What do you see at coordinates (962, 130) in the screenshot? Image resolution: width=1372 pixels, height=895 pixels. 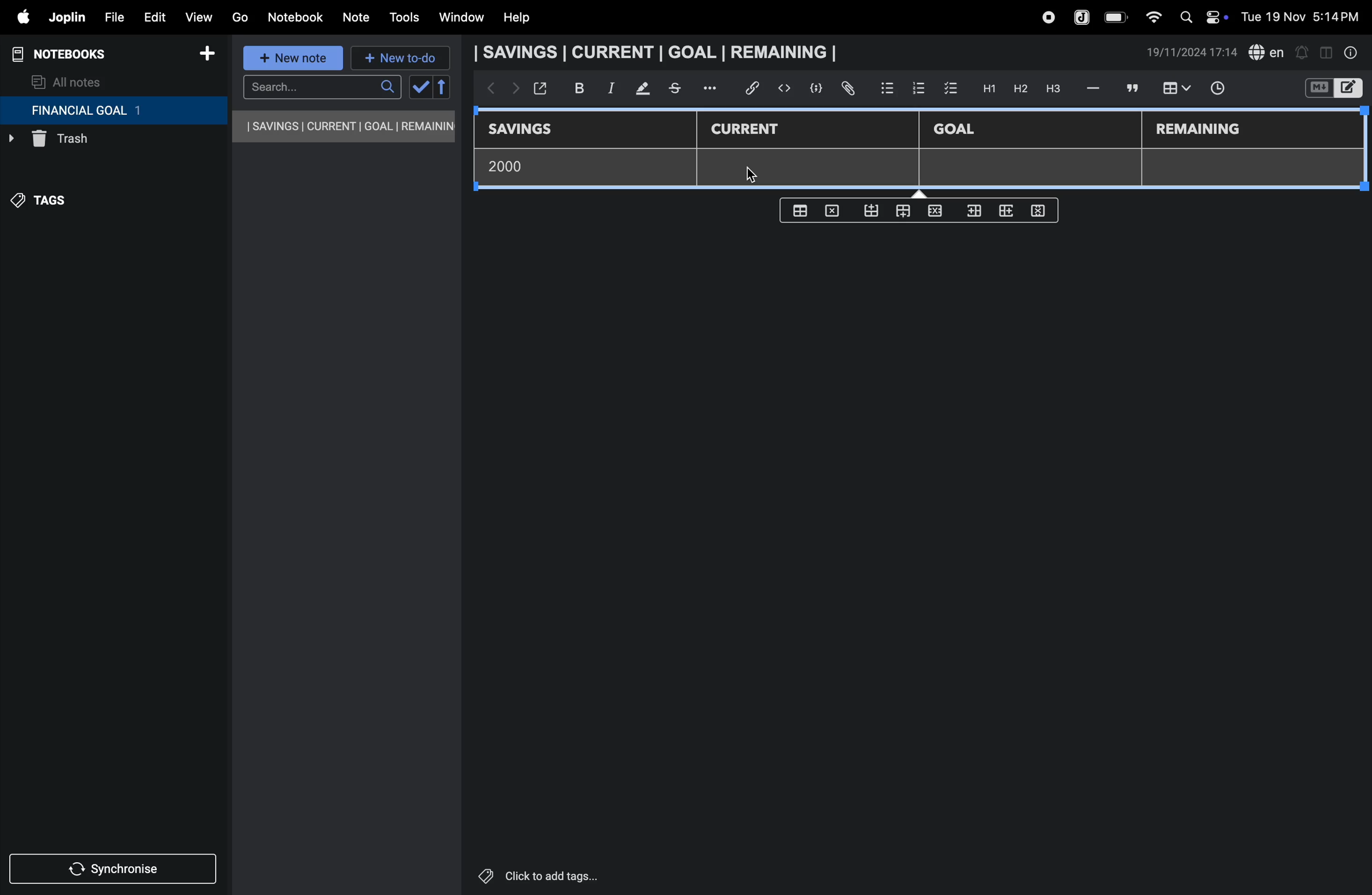 I see `Goal` at bounding box center [962, 130].